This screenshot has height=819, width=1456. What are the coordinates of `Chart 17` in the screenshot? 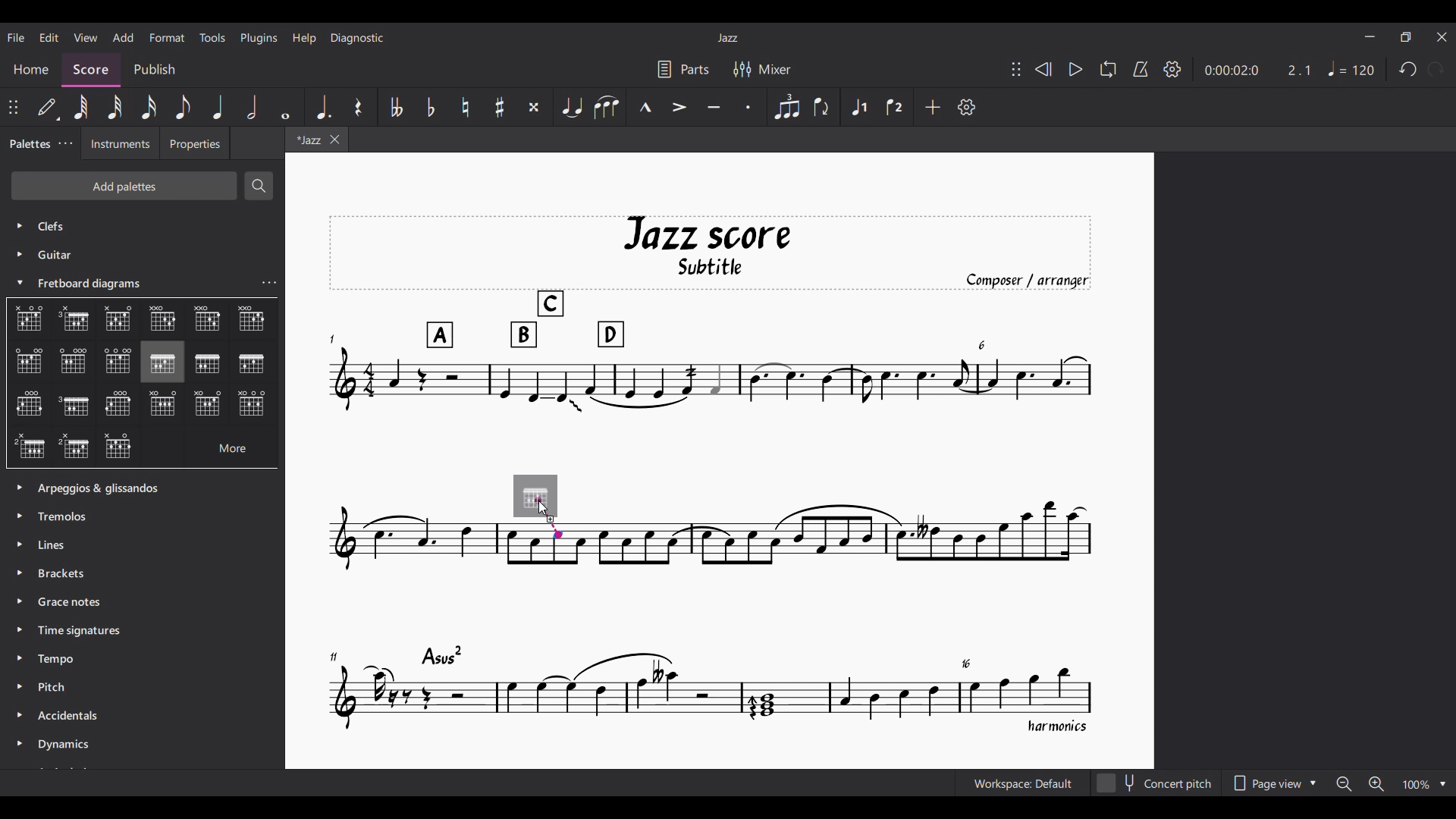 It's located at (29, 444).